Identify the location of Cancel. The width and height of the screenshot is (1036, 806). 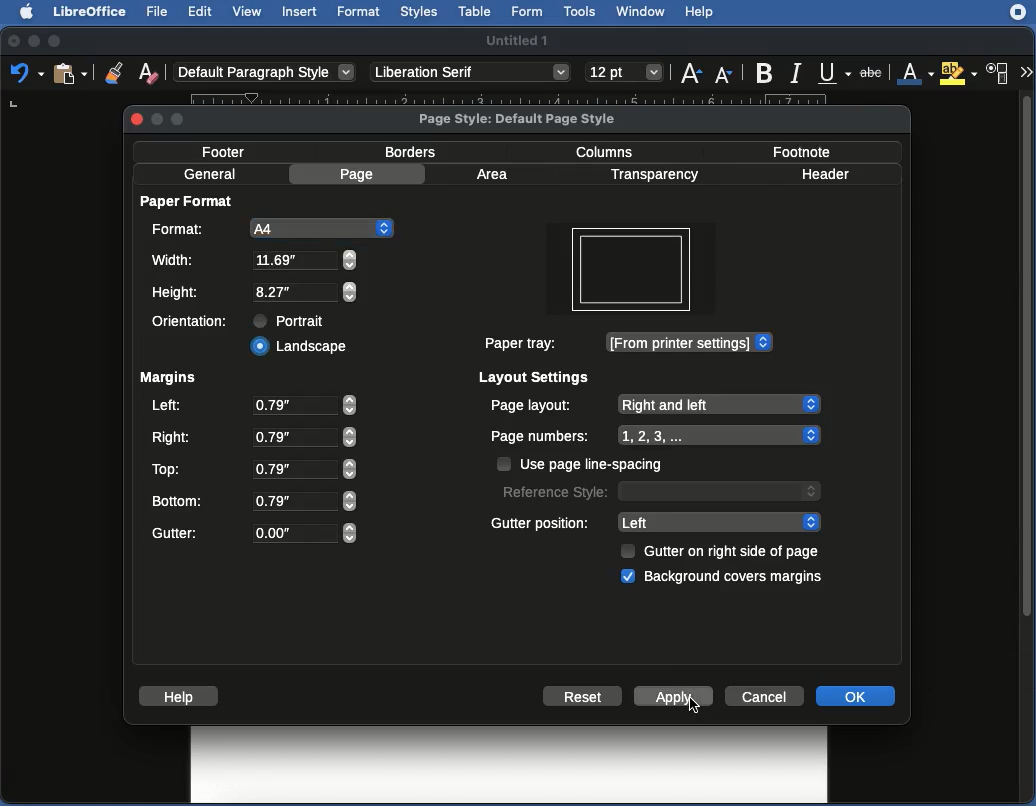
(765, 696).